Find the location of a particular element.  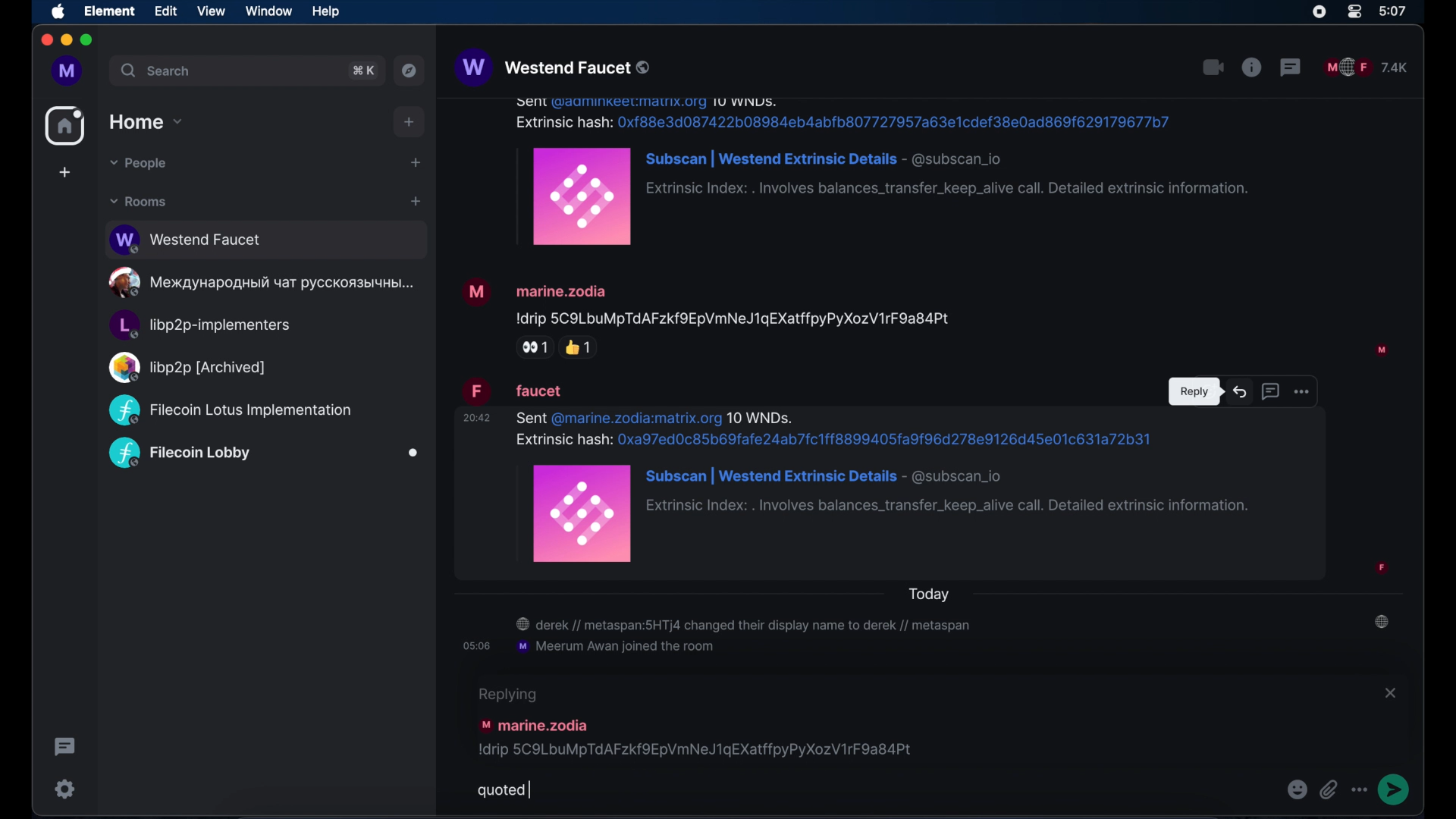

home drop down is located at coordinates (146, 121).